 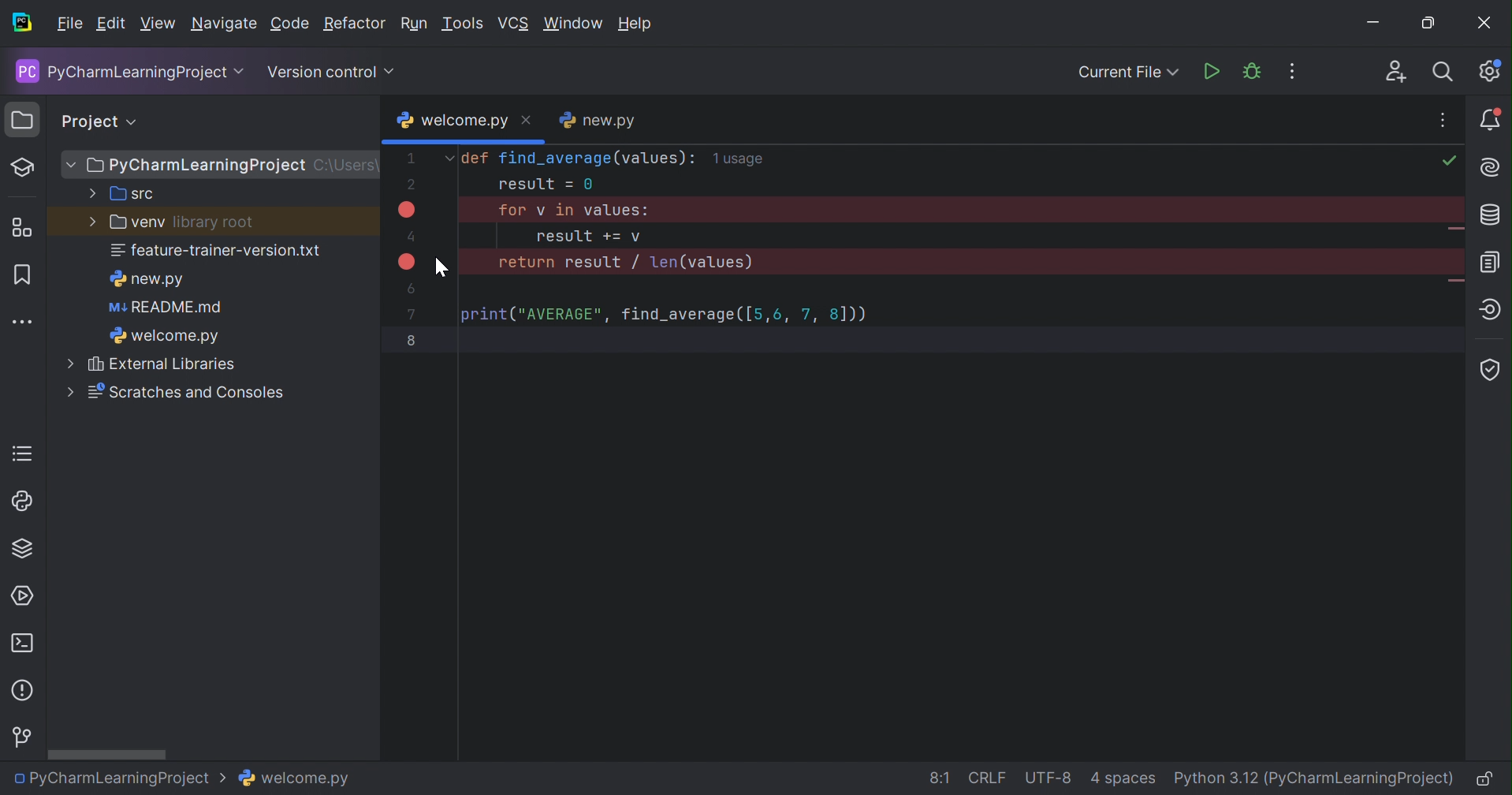 I want to click on Python Console, so click(x=19, y=502).